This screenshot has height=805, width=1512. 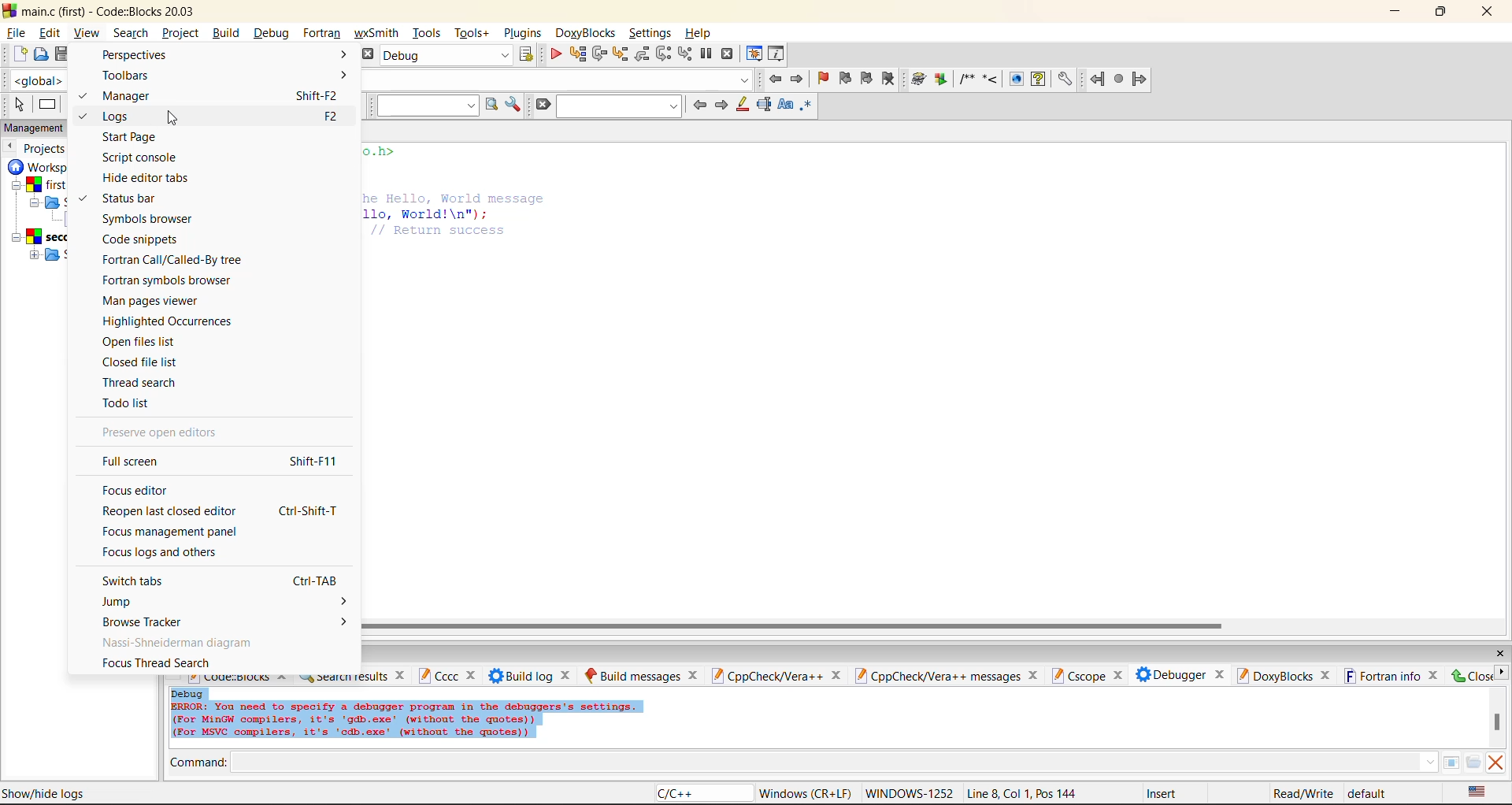 I want to click on cppcheck/vera++, so click(x=775, y=677).